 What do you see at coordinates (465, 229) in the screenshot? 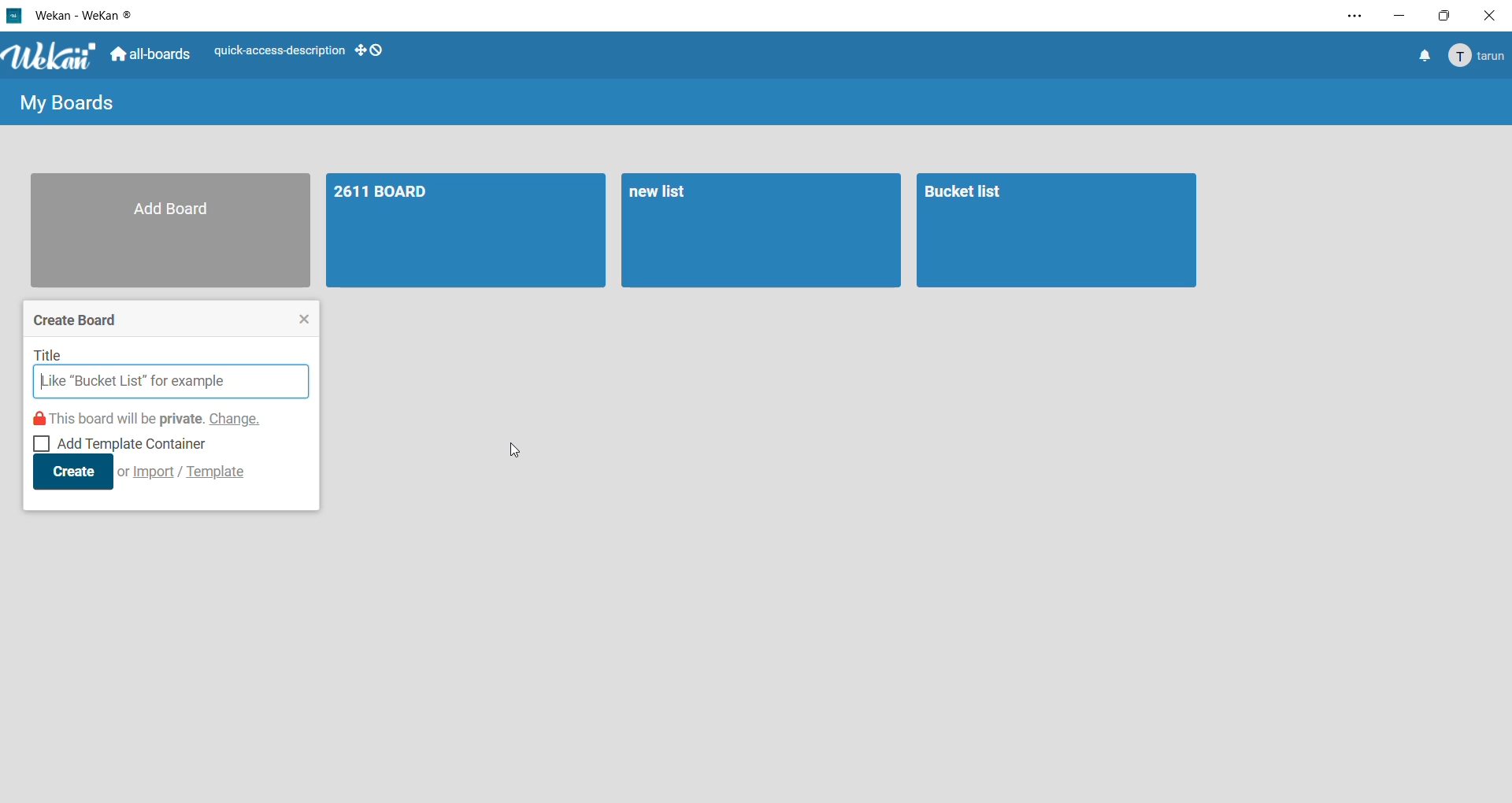
I see `board 1` at bounding box center [465, 229].